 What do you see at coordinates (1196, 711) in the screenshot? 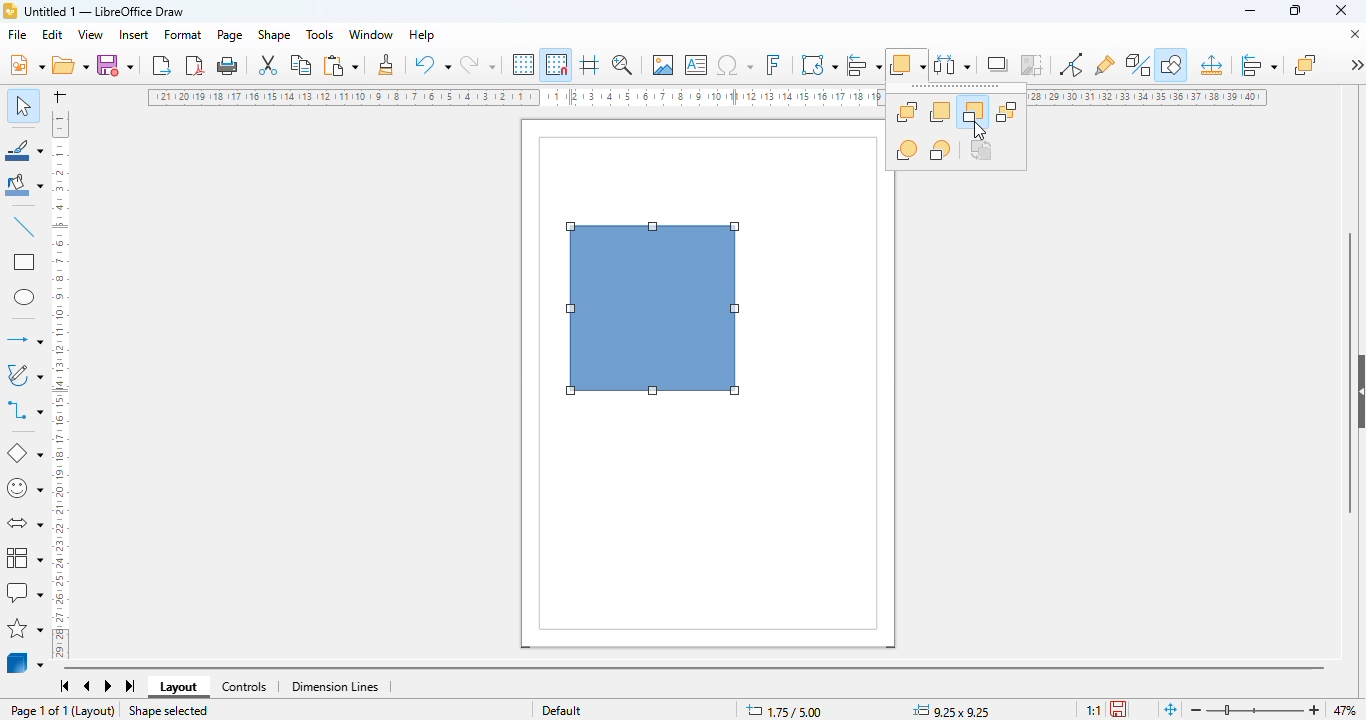
I see `zoom out` at bounding box center [1196, 711].